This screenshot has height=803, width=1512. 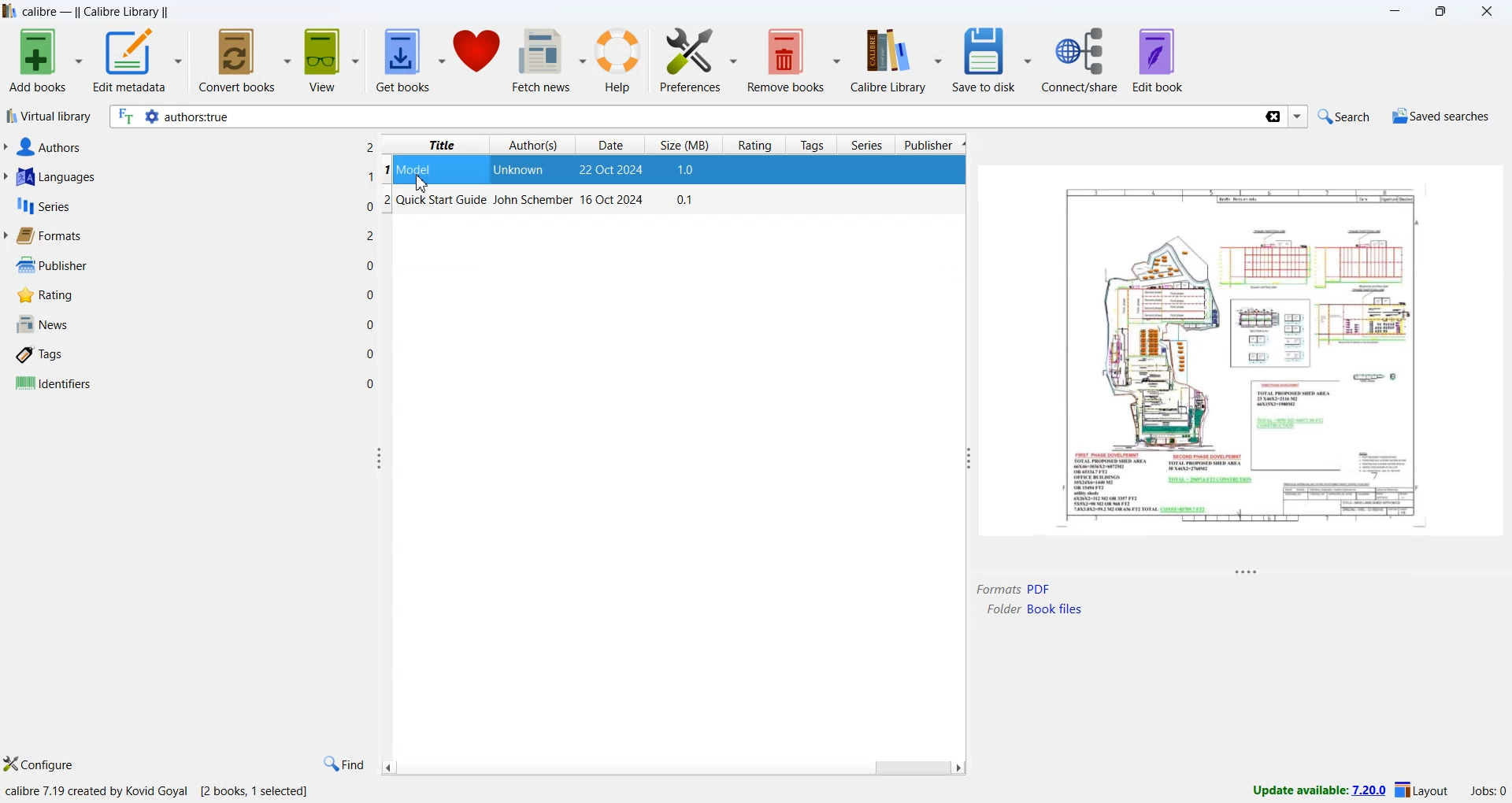 What do you see at coordinates (672, 768) in the screenshot?
I see `Scroll` at bounding box center [672, 768].